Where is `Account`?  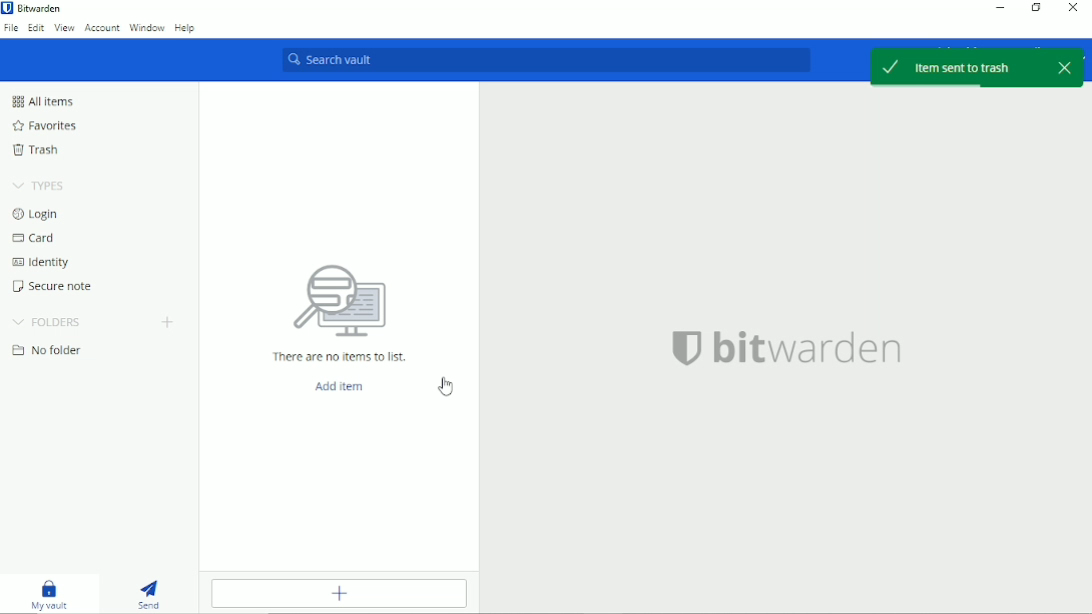
Account is located at coordinates (101, 29).